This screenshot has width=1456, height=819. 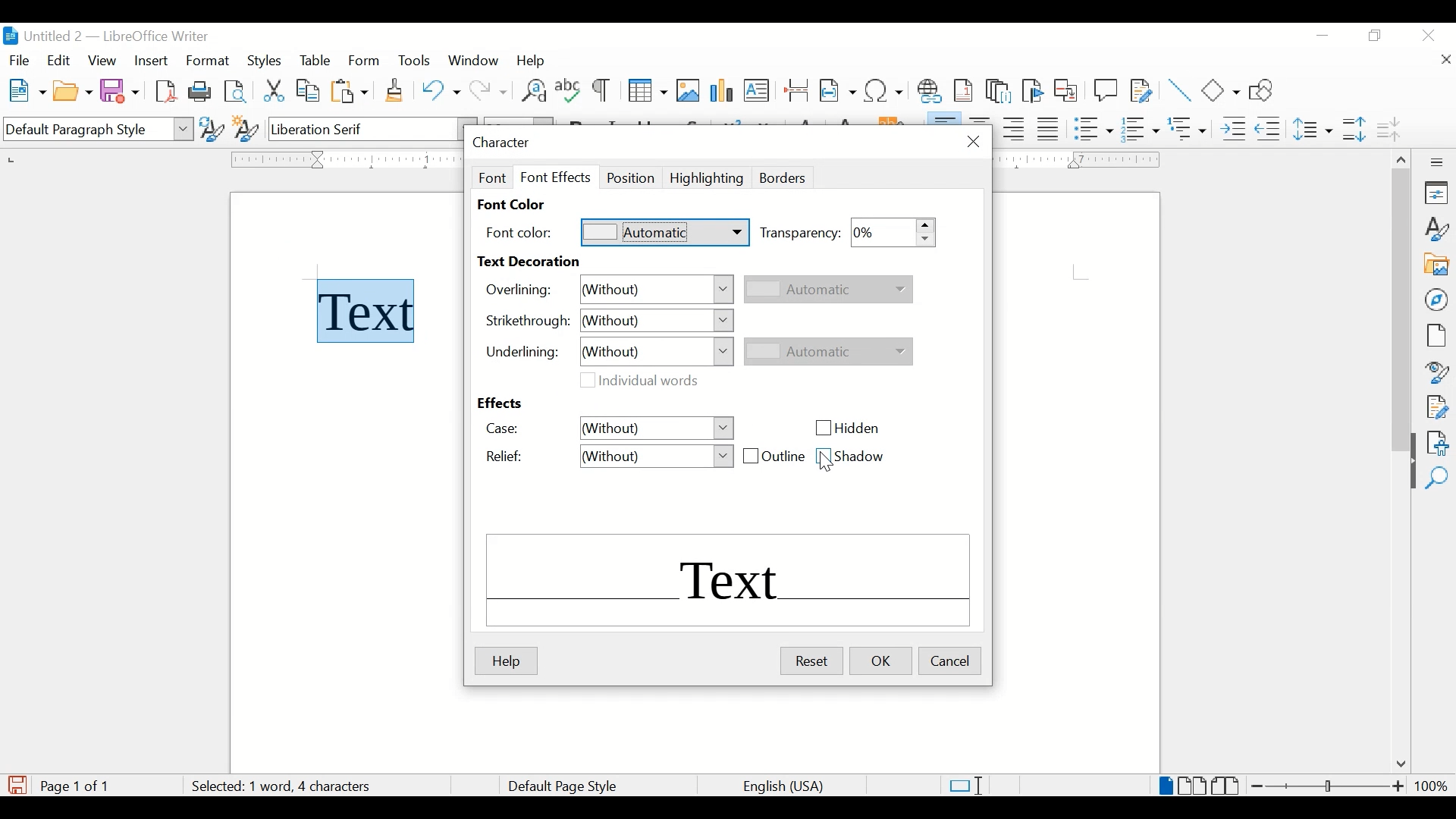 What do you see at coordinates (950, 661) in the screenshot?
I see `cancel` at bounding box center [950, 661].